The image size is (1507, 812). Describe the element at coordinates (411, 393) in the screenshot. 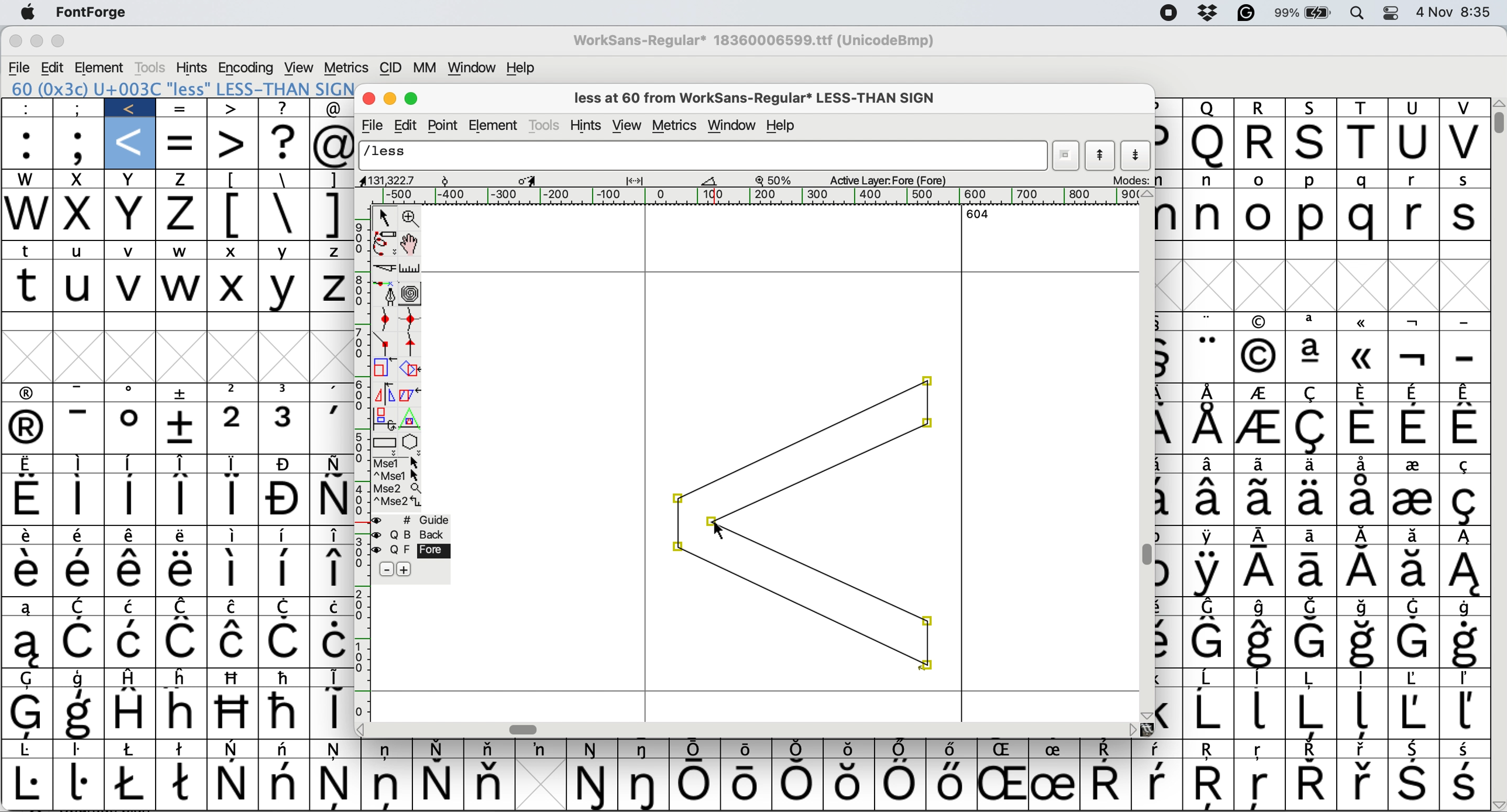

I see `skew the selection` at that location.